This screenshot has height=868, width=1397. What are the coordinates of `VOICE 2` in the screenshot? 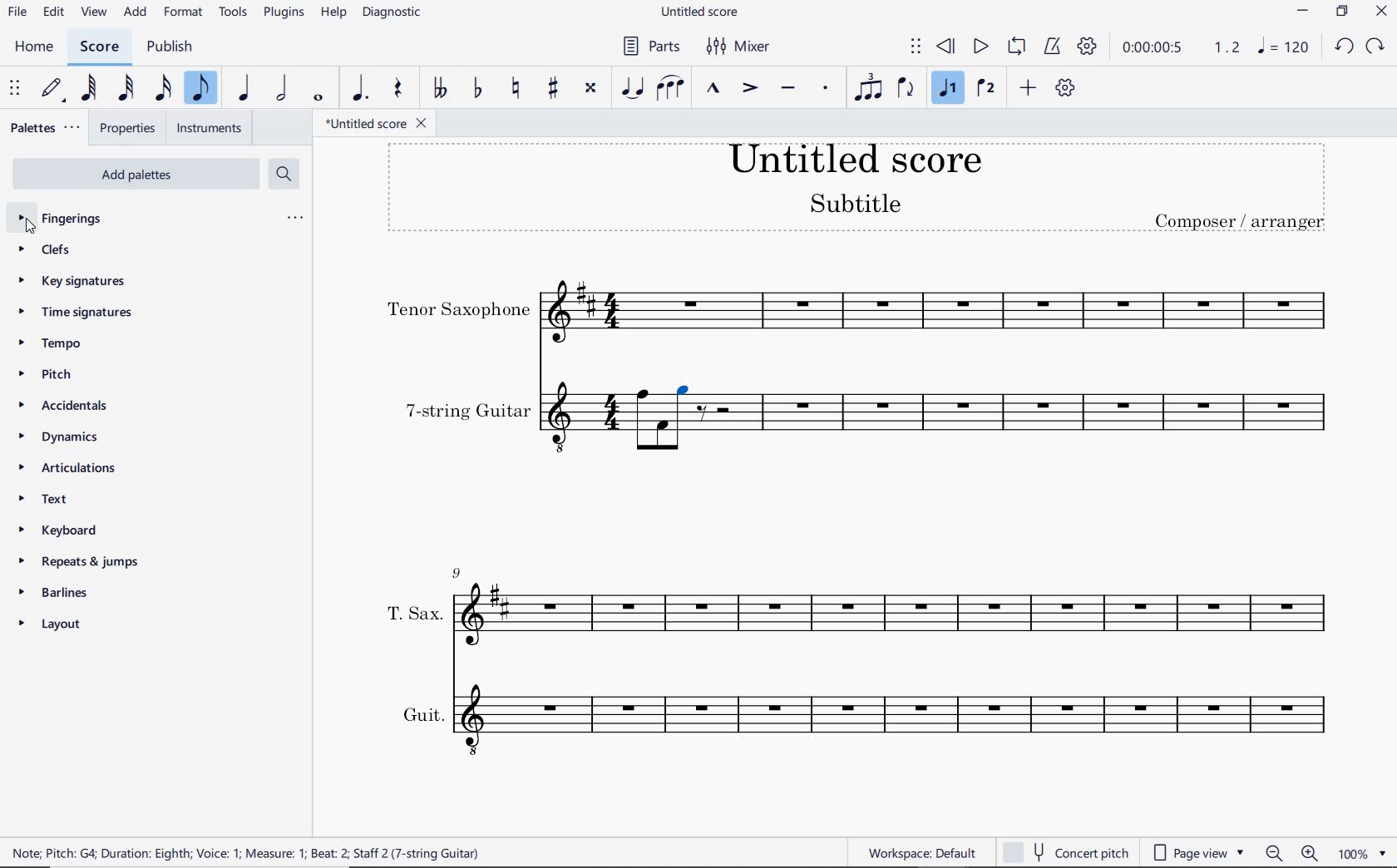 It's located at (985, 89).